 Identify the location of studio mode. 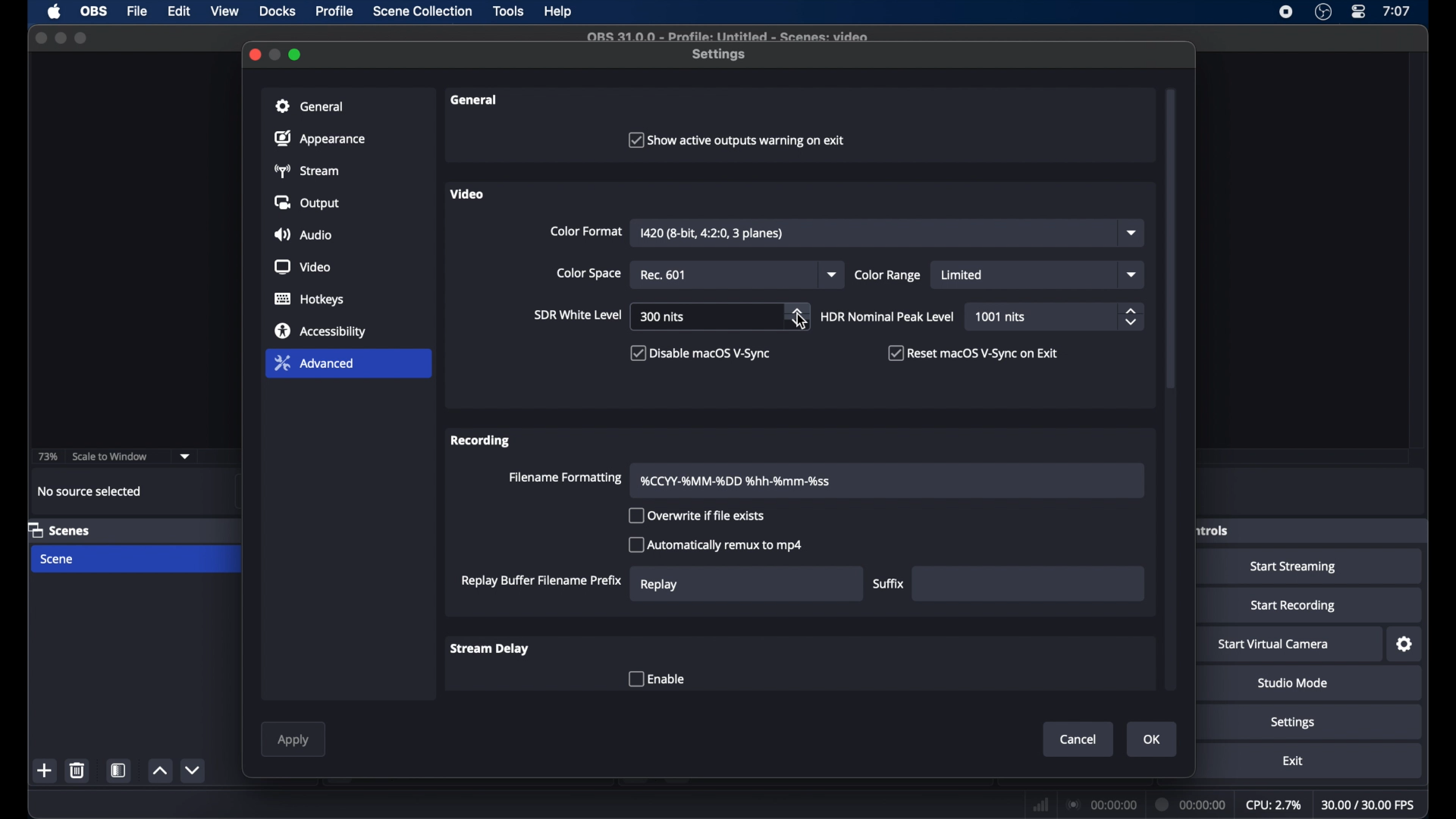
(1294, 683).